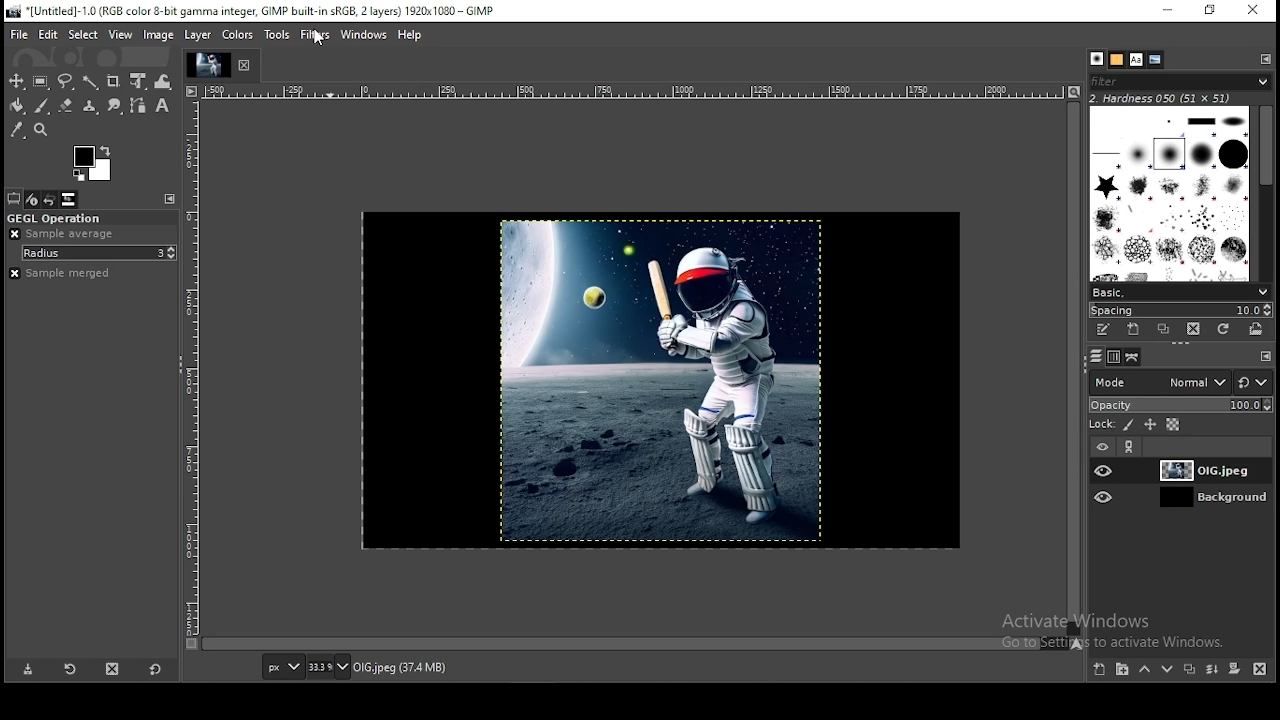 This screenshot has width=1280, height=720. I want to click on layer 1, so click(1196, 497).